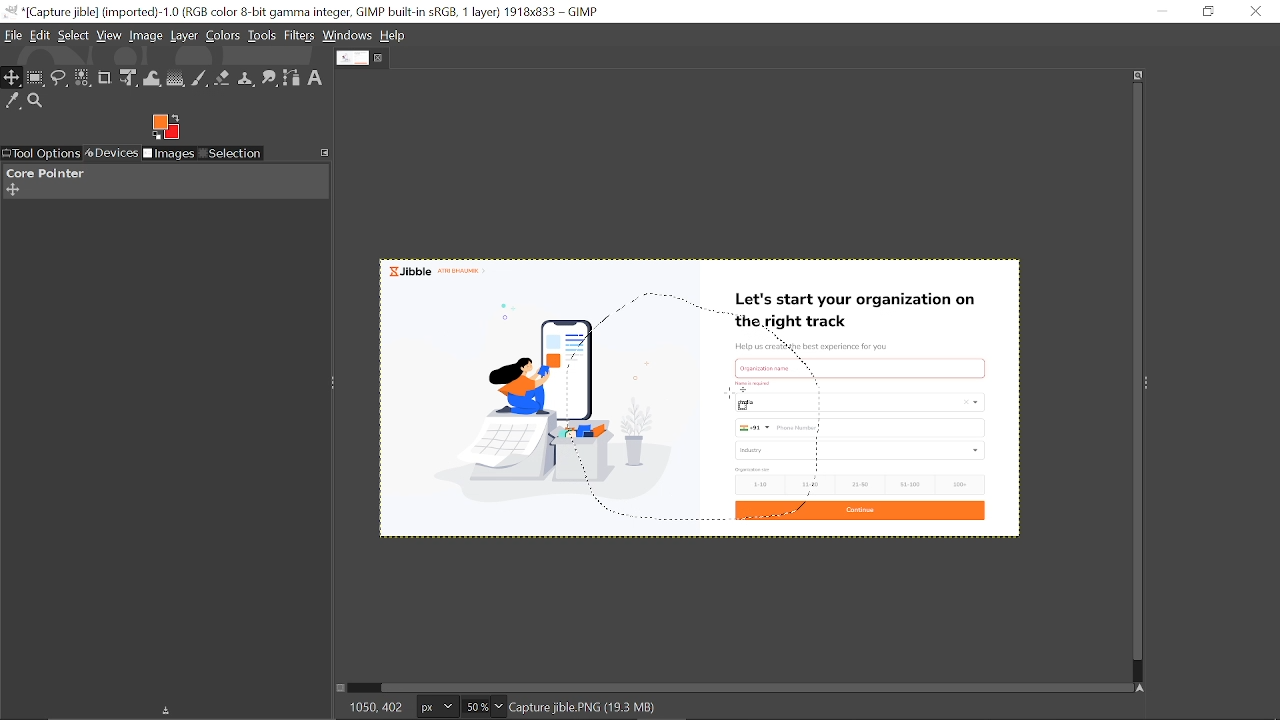 The image size is (1280, 720). What do you see at coordinates (754, 469) in the screenshot?
I see `size` at bounding box center [754, 469].